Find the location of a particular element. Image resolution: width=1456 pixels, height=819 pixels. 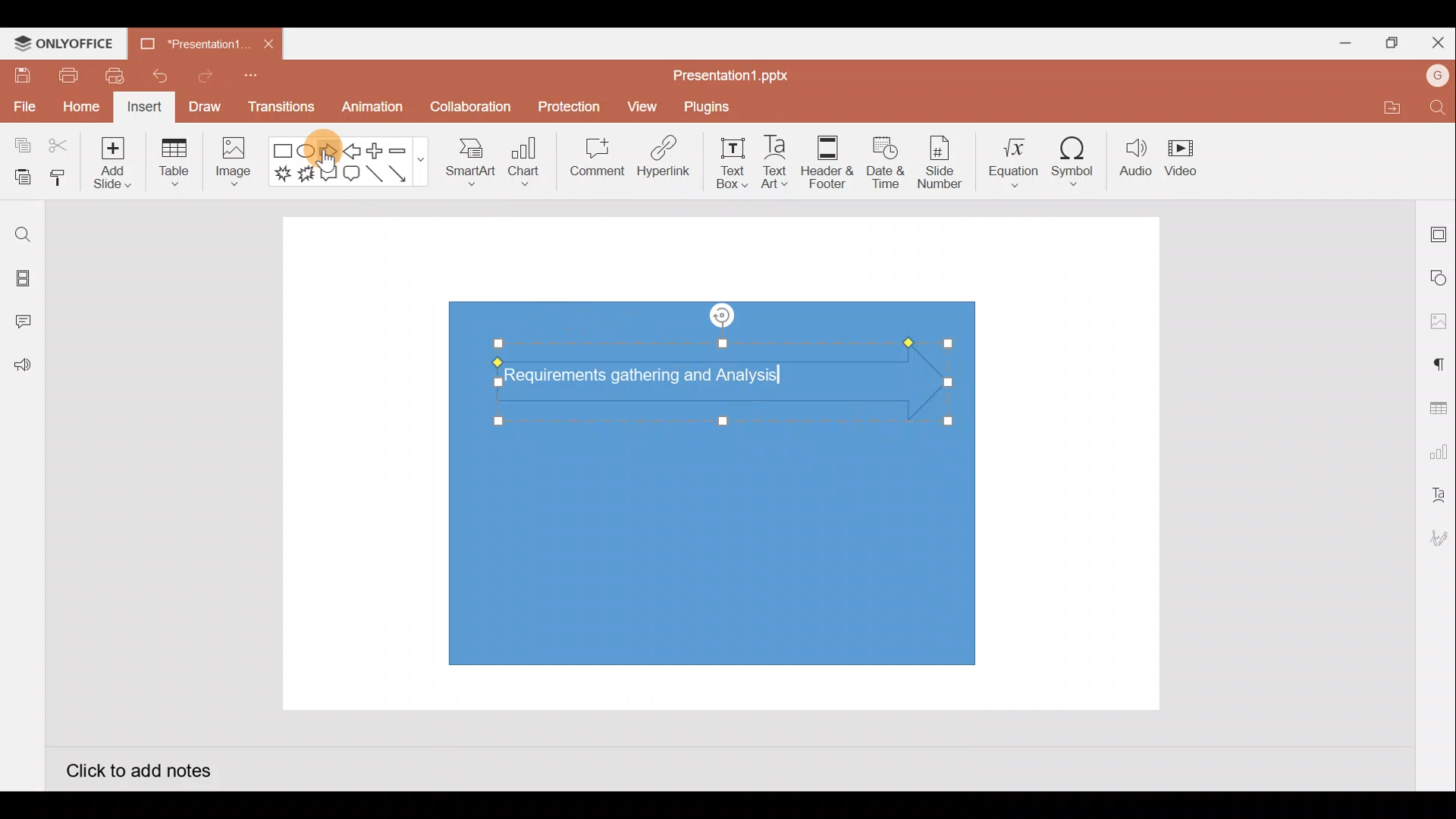

Rectangular callout is located at coordinates (329, 174).